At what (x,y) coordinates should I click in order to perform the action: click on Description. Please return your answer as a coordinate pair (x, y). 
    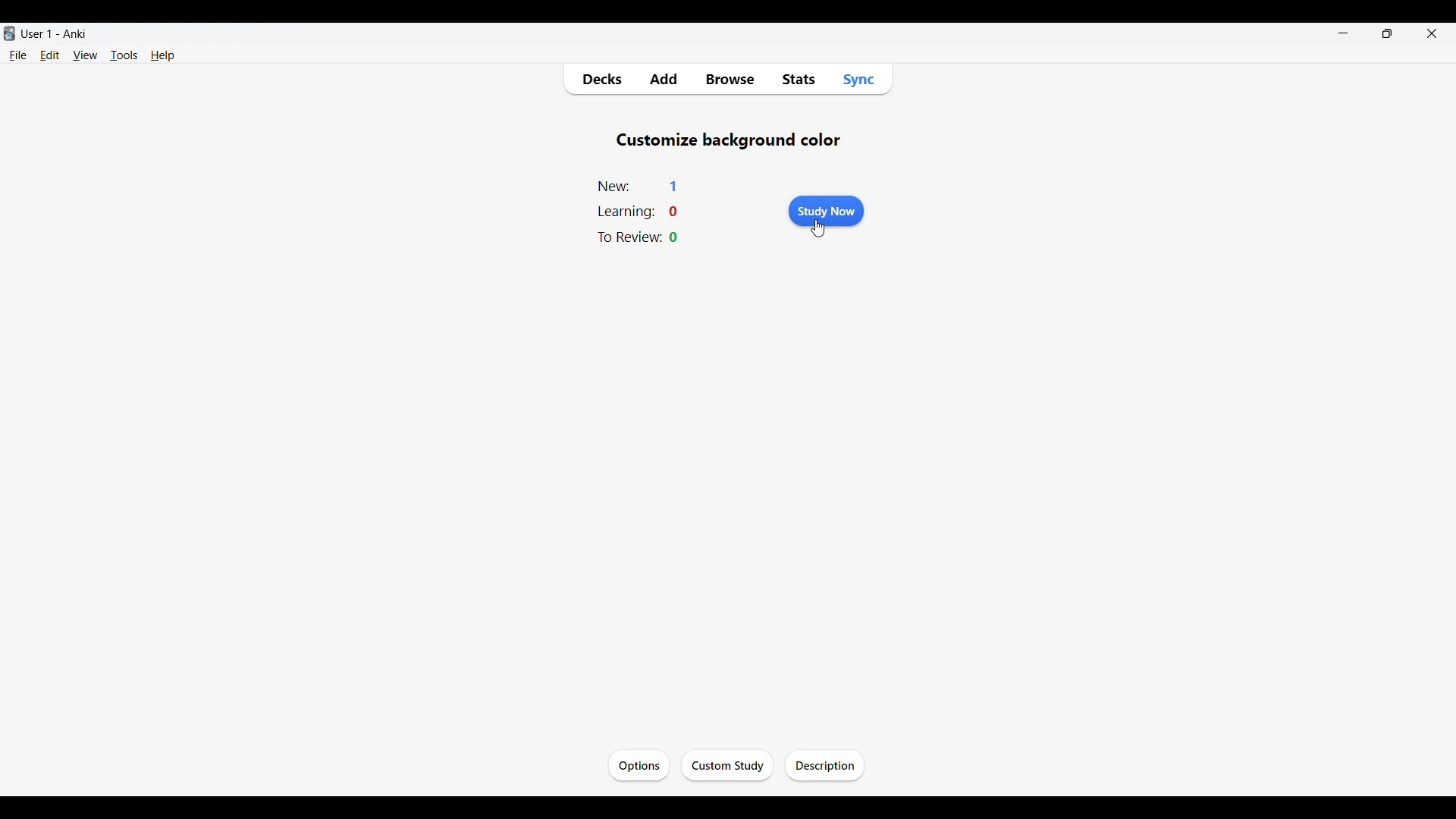
    Looking at the image, I should click on (824, 766).